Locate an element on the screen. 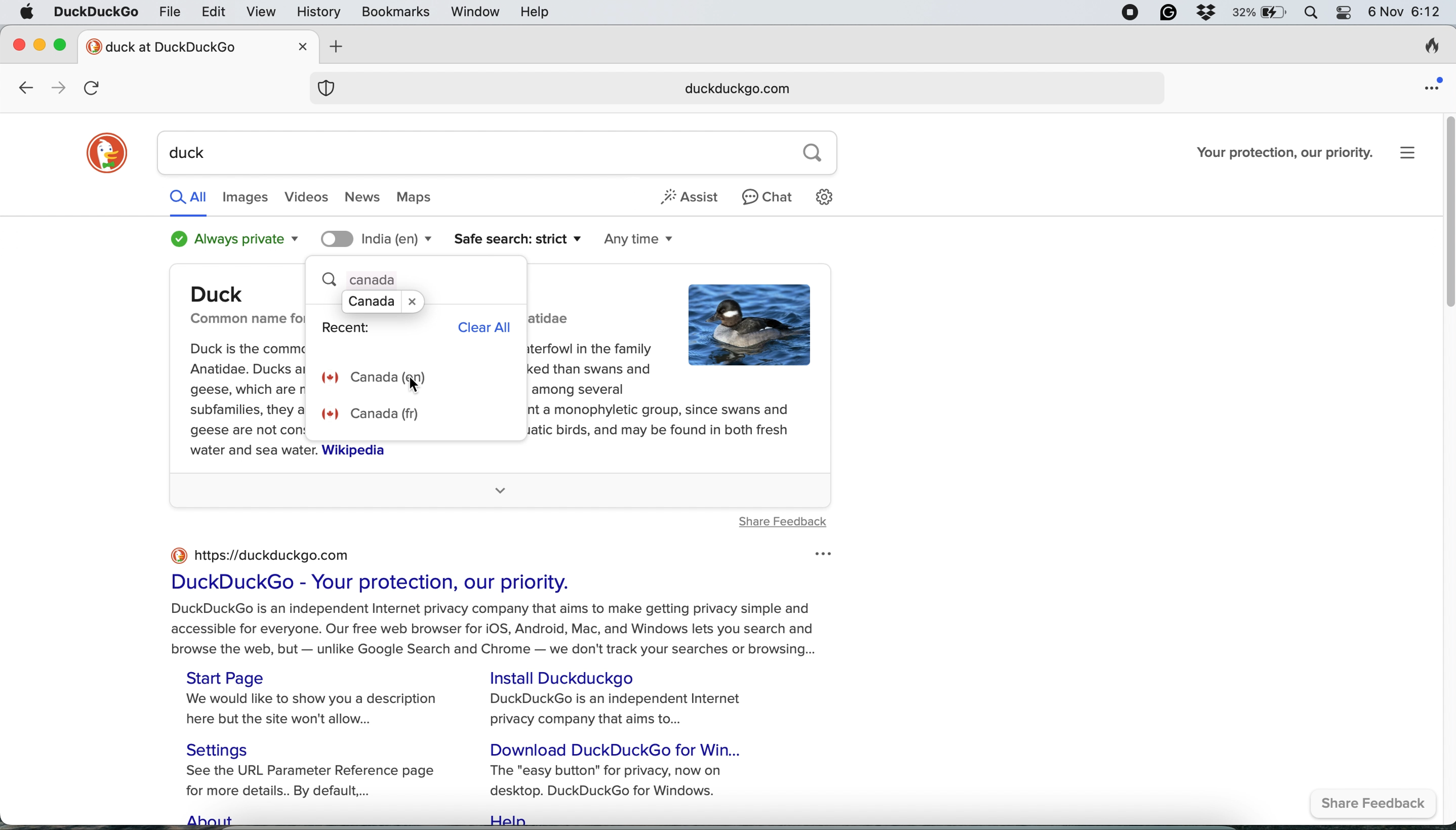 This screenshot has width=1456, height=830. grammarly is located at coordinates (1167, 13).